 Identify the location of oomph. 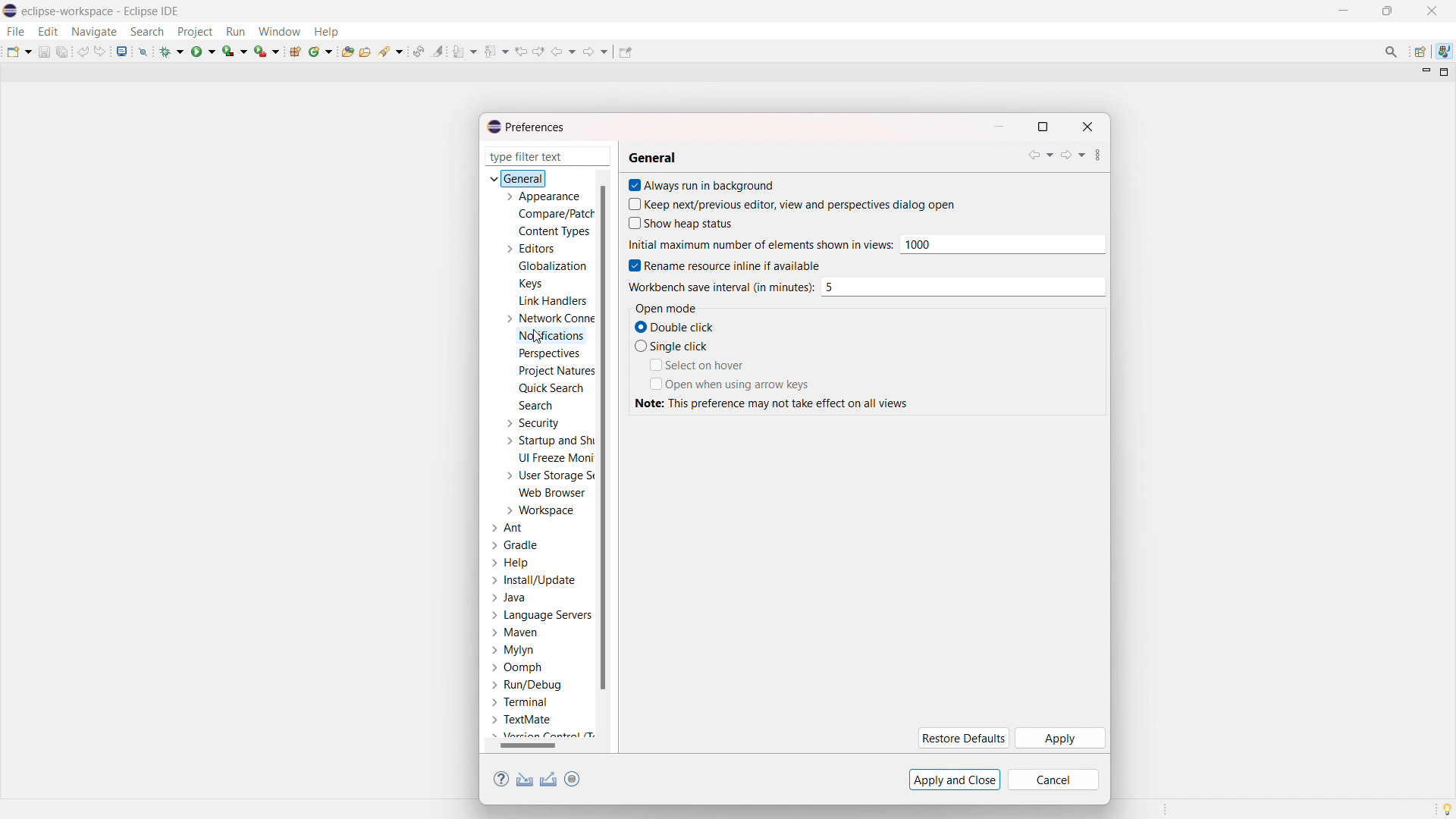
(516, 669).